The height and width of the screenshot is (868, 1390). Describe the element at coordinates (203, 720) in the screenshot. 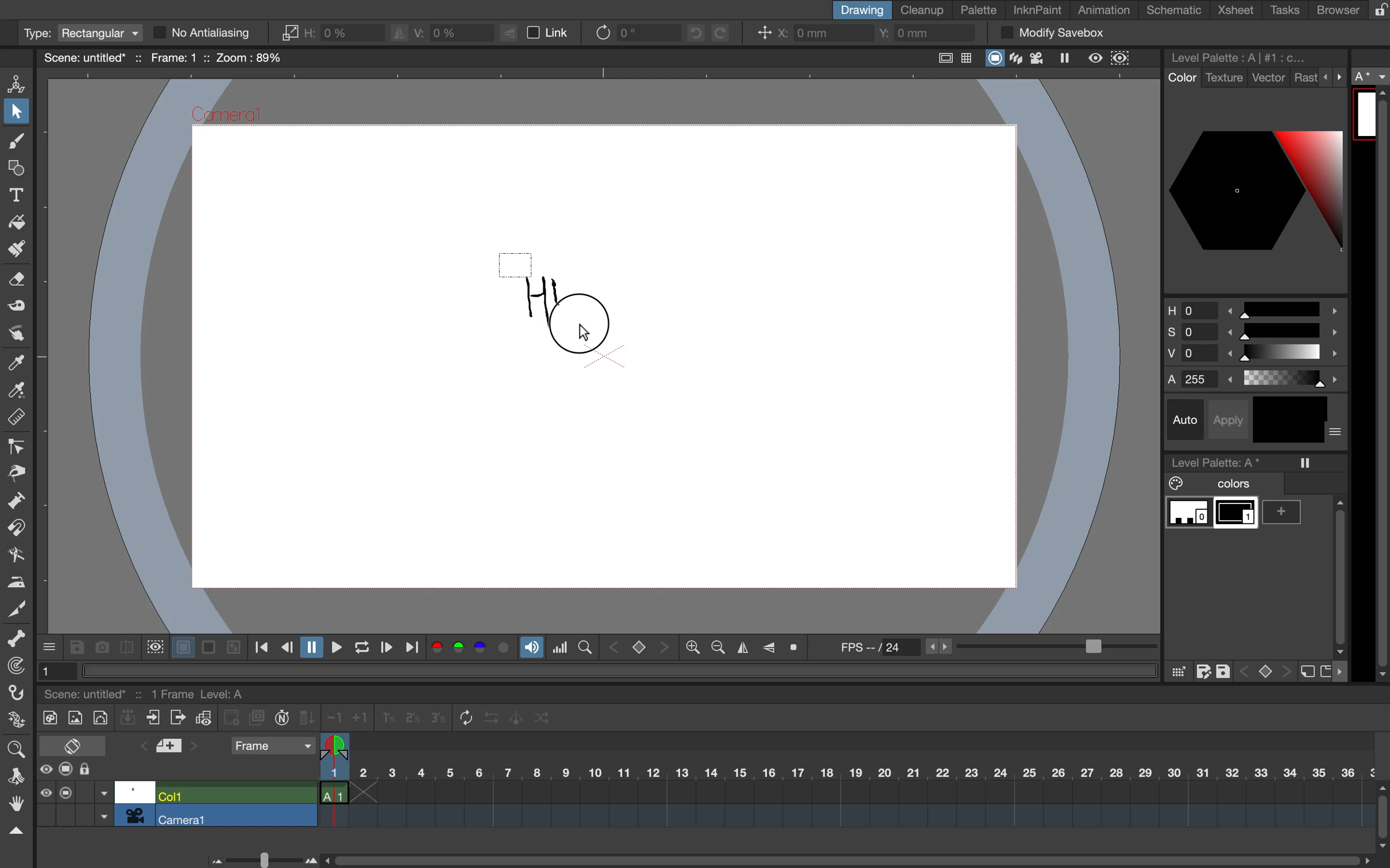

I see `toggle edit in place` at that location.